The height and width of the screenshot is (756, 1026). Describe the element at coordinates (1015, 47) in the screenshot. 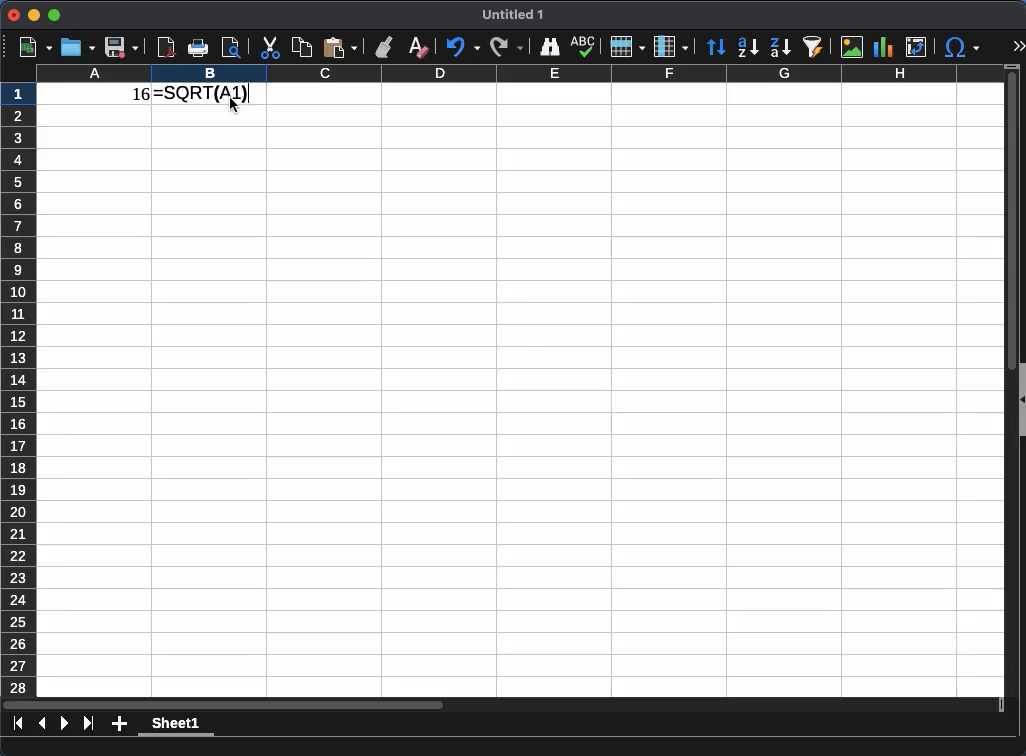

I see `expand ` at that location.